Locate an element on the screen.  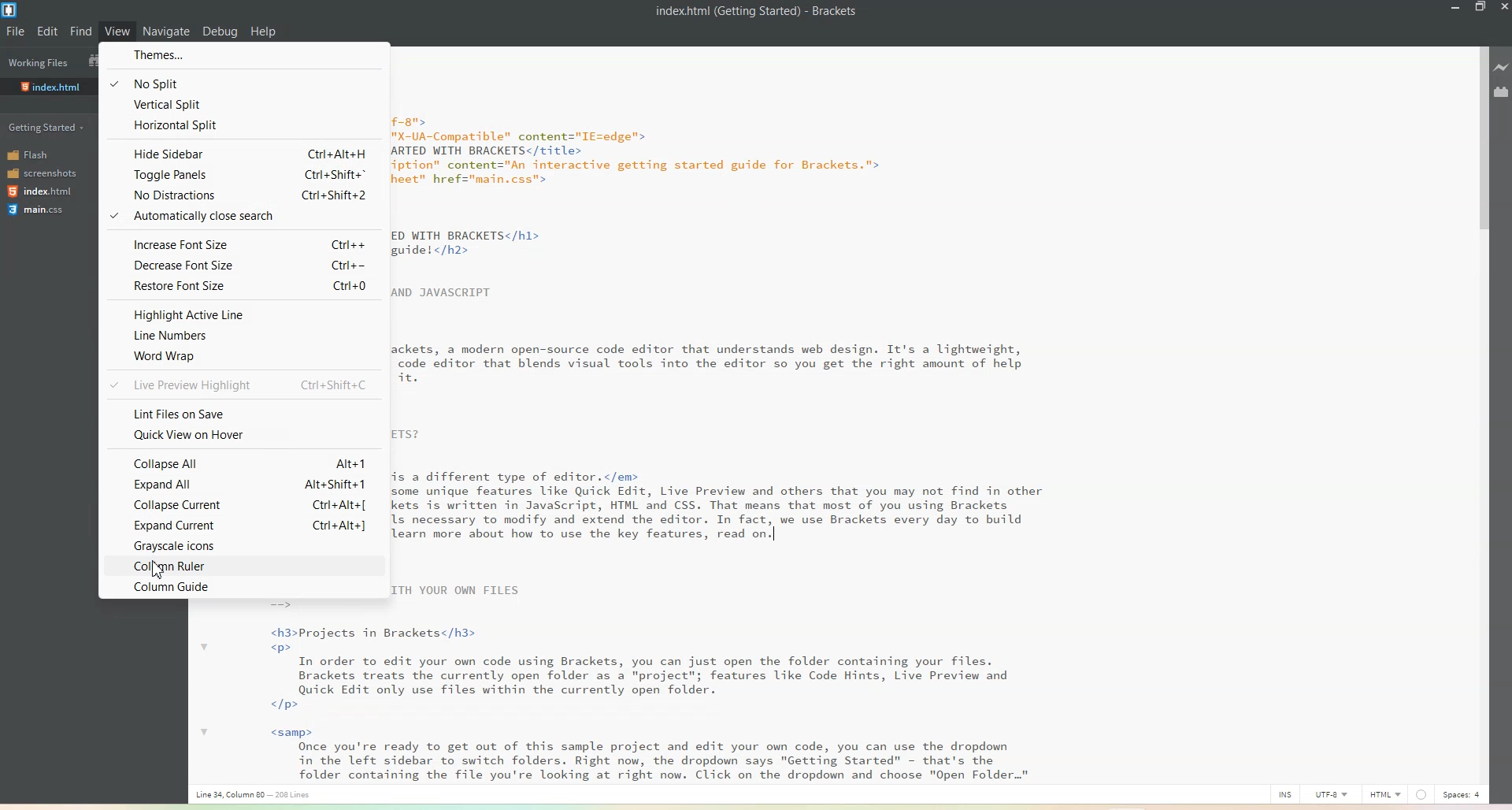
Live preview is located at coordinates (1502, 65).